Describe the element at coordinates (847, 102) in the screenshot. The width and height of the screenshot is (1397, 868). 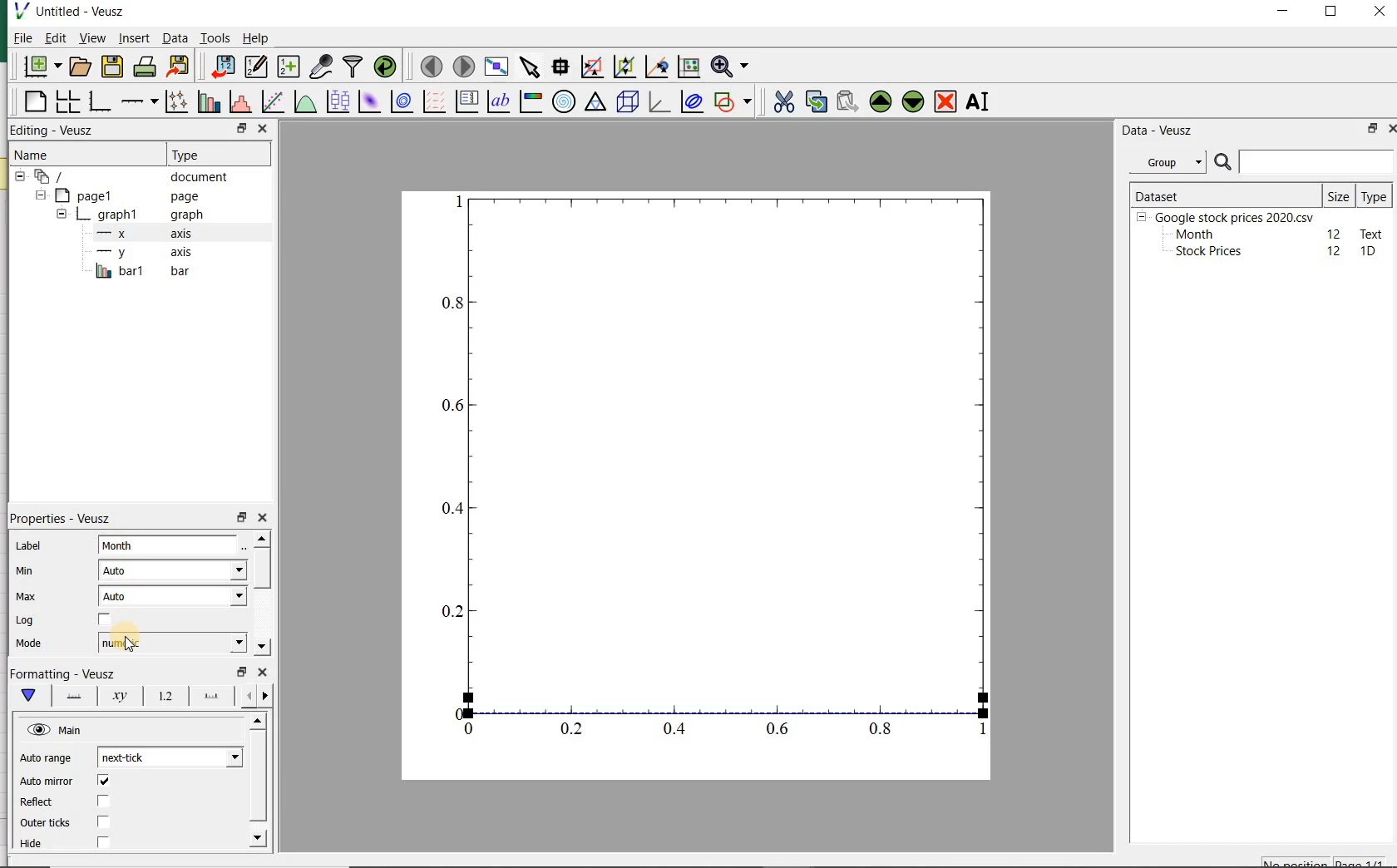
I see `paste widget from the clipboard` at that location.